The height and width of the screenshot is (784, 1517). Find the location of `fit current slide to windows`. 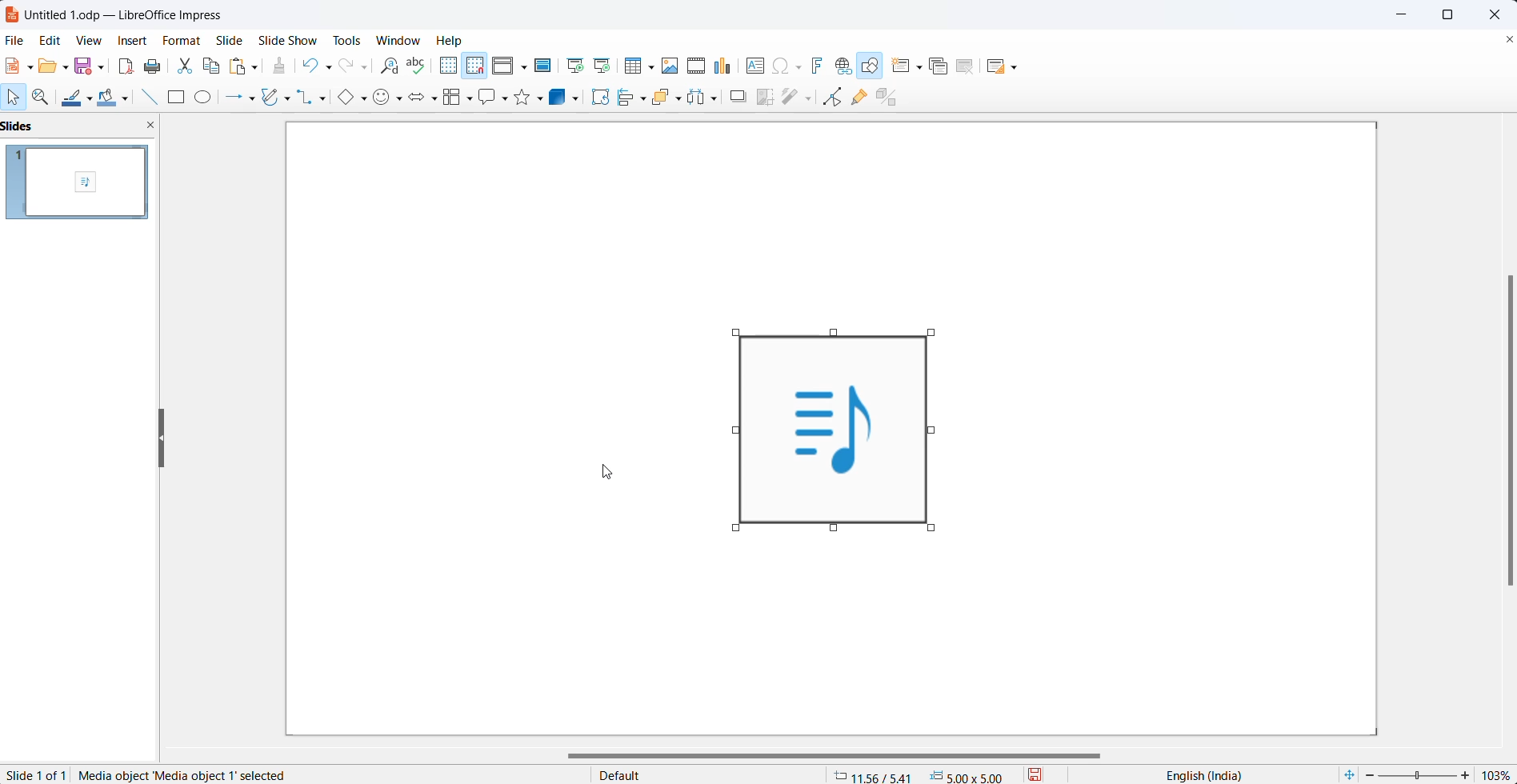

fit current slide to windows is located at coordinates (1349, 774).